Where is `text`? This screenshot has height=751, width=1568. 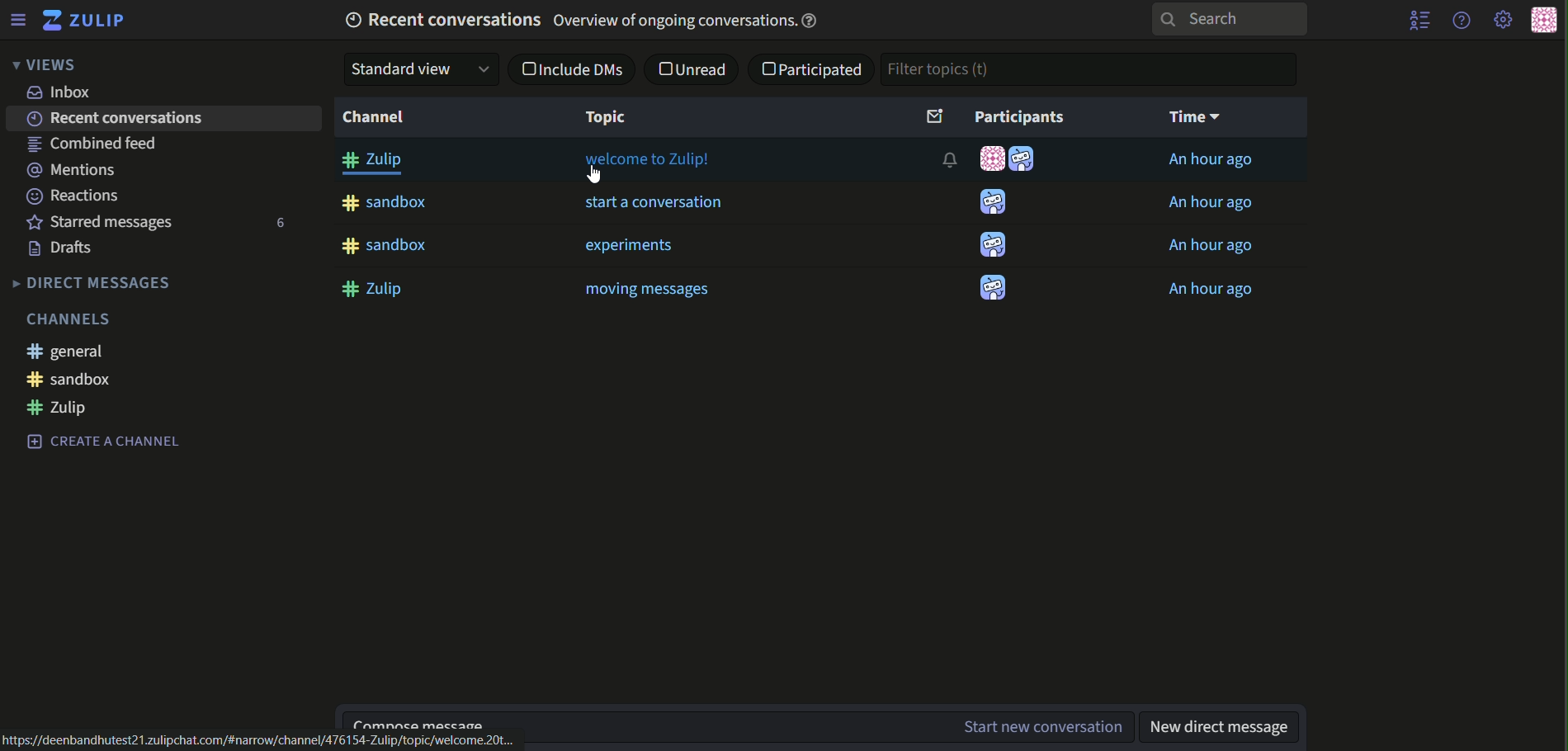
text is located at coordinates (63, 93).